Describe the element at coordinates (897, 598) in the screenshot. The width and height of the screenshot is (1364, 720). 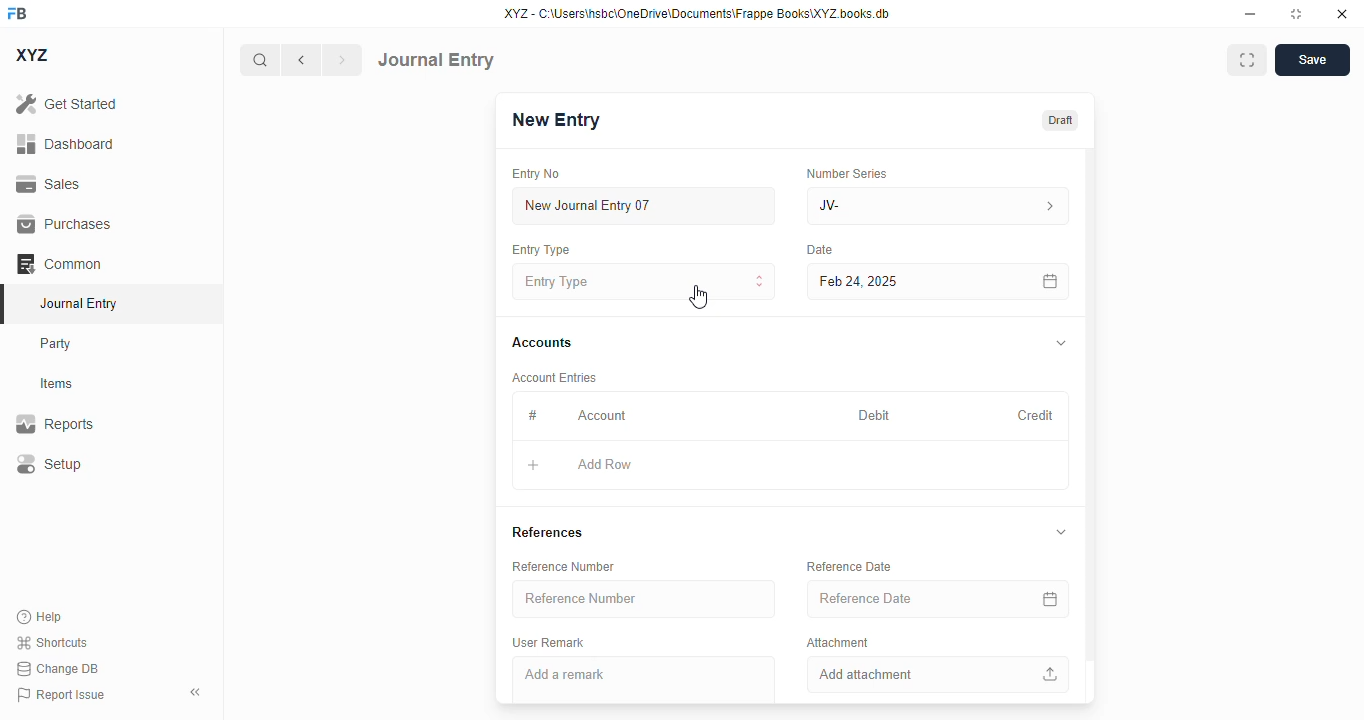
I see `reference date` at that location.